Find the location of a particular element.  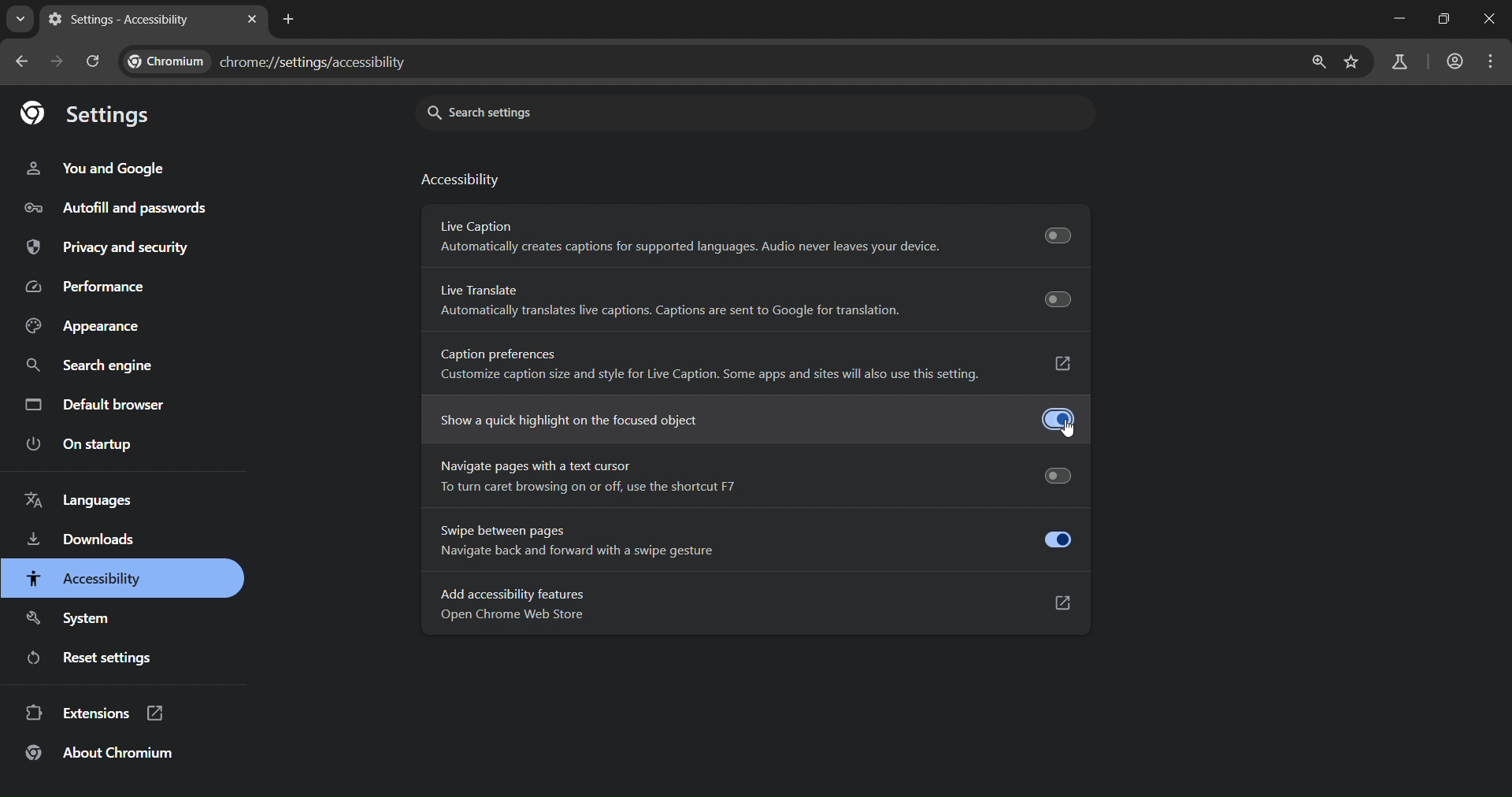

toggle is located at coordinates (1057, 539).